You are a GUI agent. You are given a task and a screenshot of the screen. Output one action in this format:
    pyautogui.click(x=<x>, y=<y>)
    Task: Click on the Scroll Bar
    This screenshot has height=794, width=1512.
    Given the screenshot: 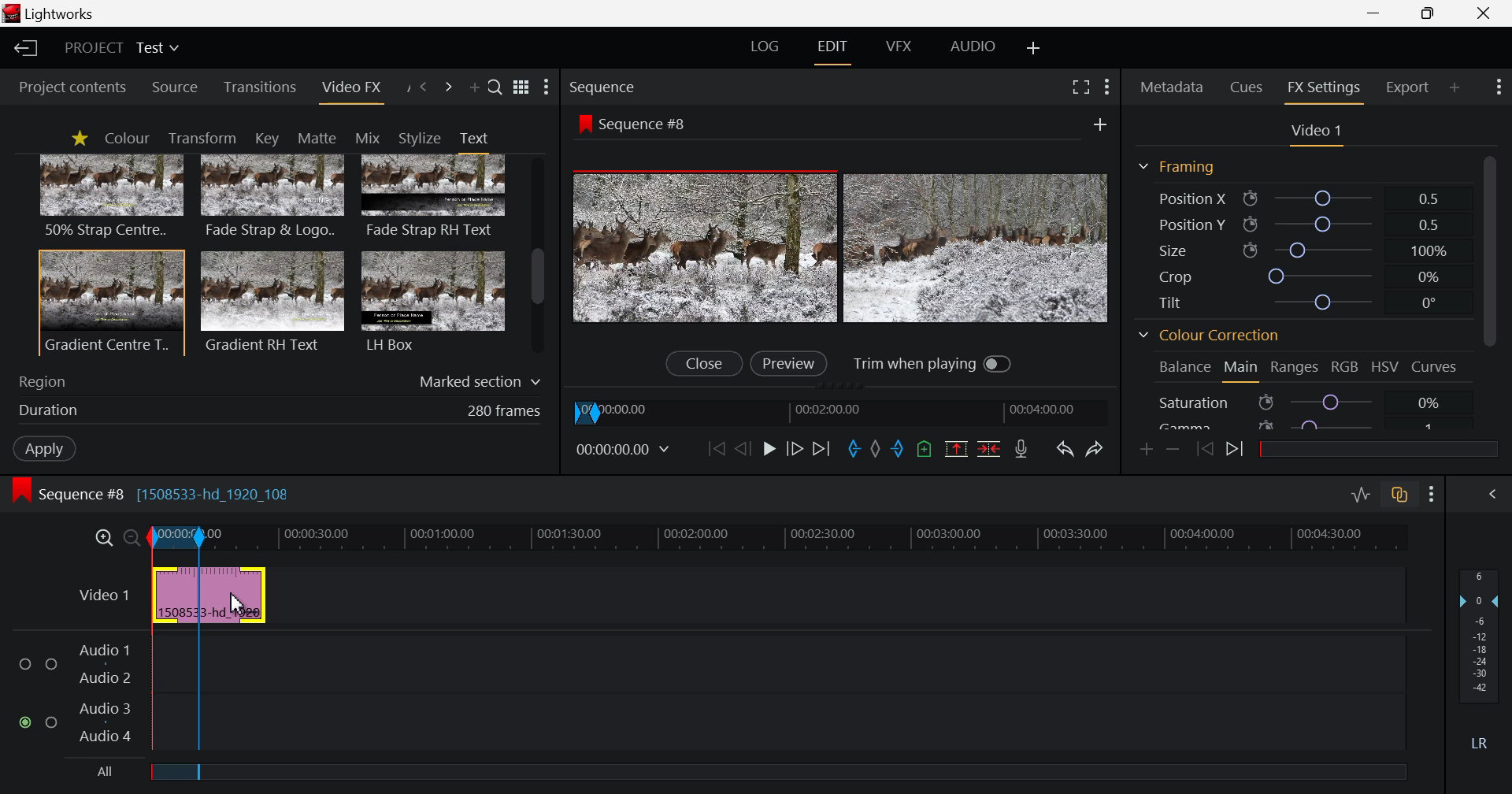 What is the action you would take?
    pyautogui.click(x=1489, y=288)
    